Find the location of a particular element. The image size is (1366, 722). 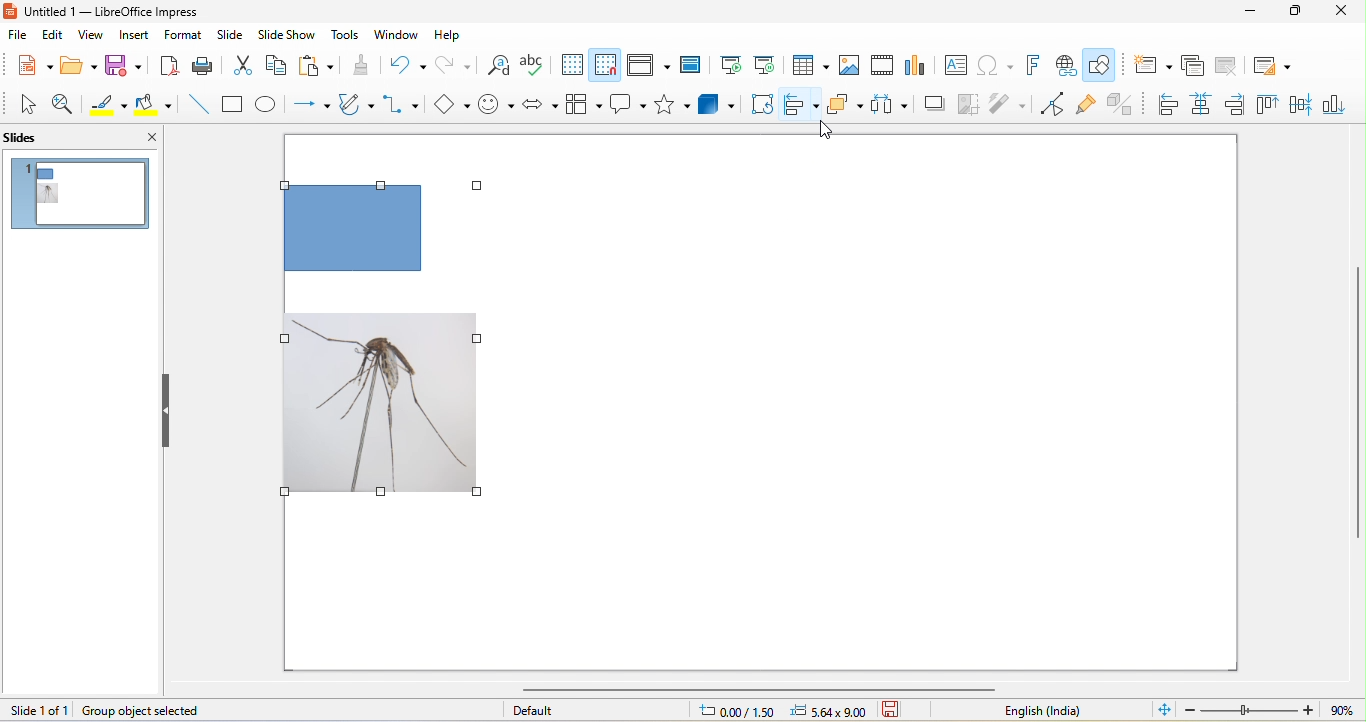

gluepoint function is located at coordinates (1088, 105).